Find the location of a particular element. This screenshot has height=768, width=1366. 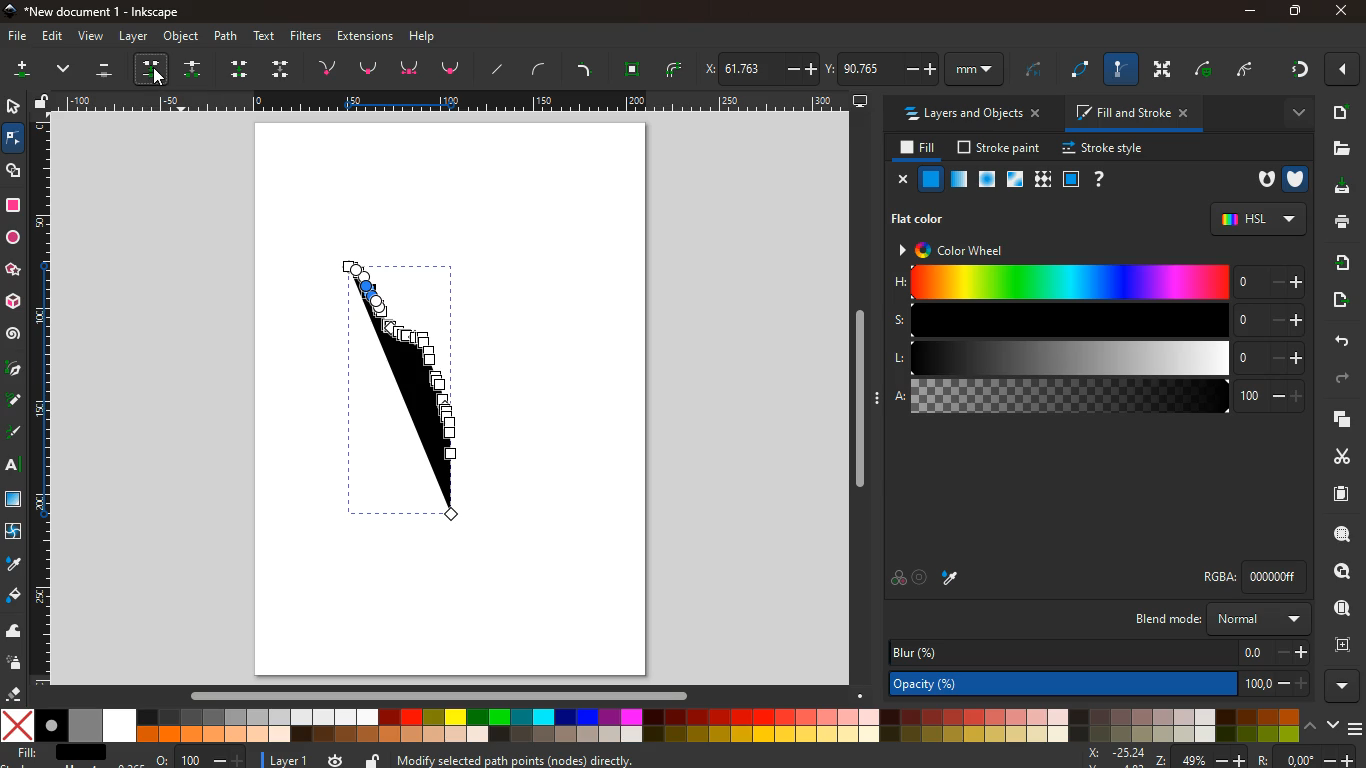

line is located at coordinates (587, 68).